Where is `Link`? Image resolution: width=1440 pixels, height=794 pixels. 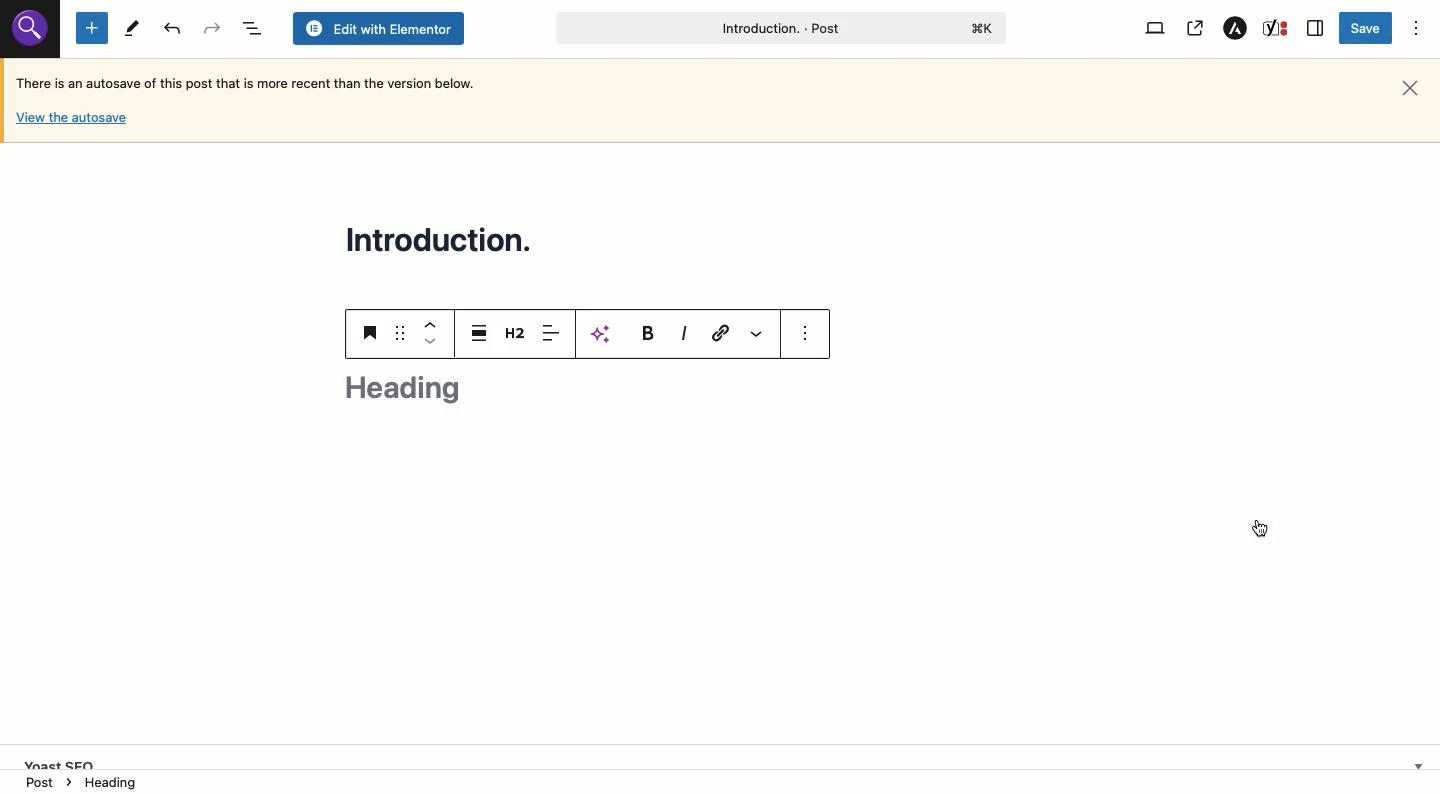 Link is located at coordinates (721, 333).